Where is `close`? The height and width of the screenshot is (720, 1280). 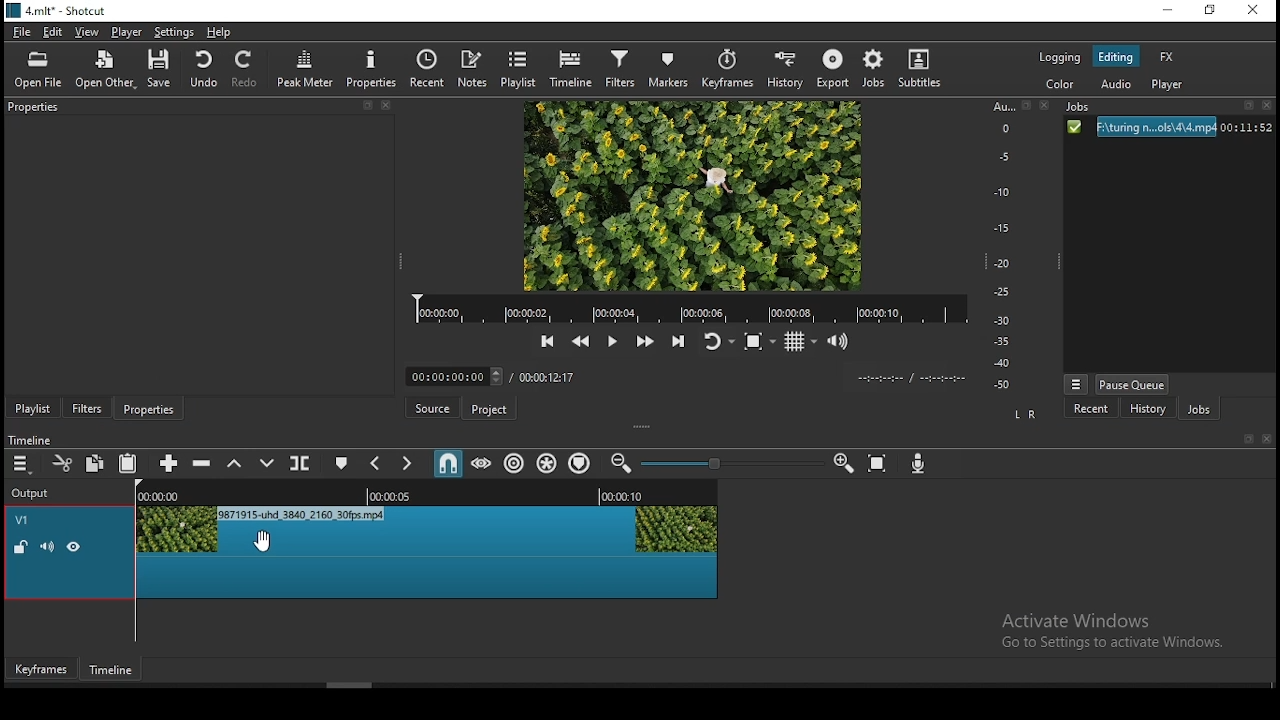
close is located at coordinates (387, 105).